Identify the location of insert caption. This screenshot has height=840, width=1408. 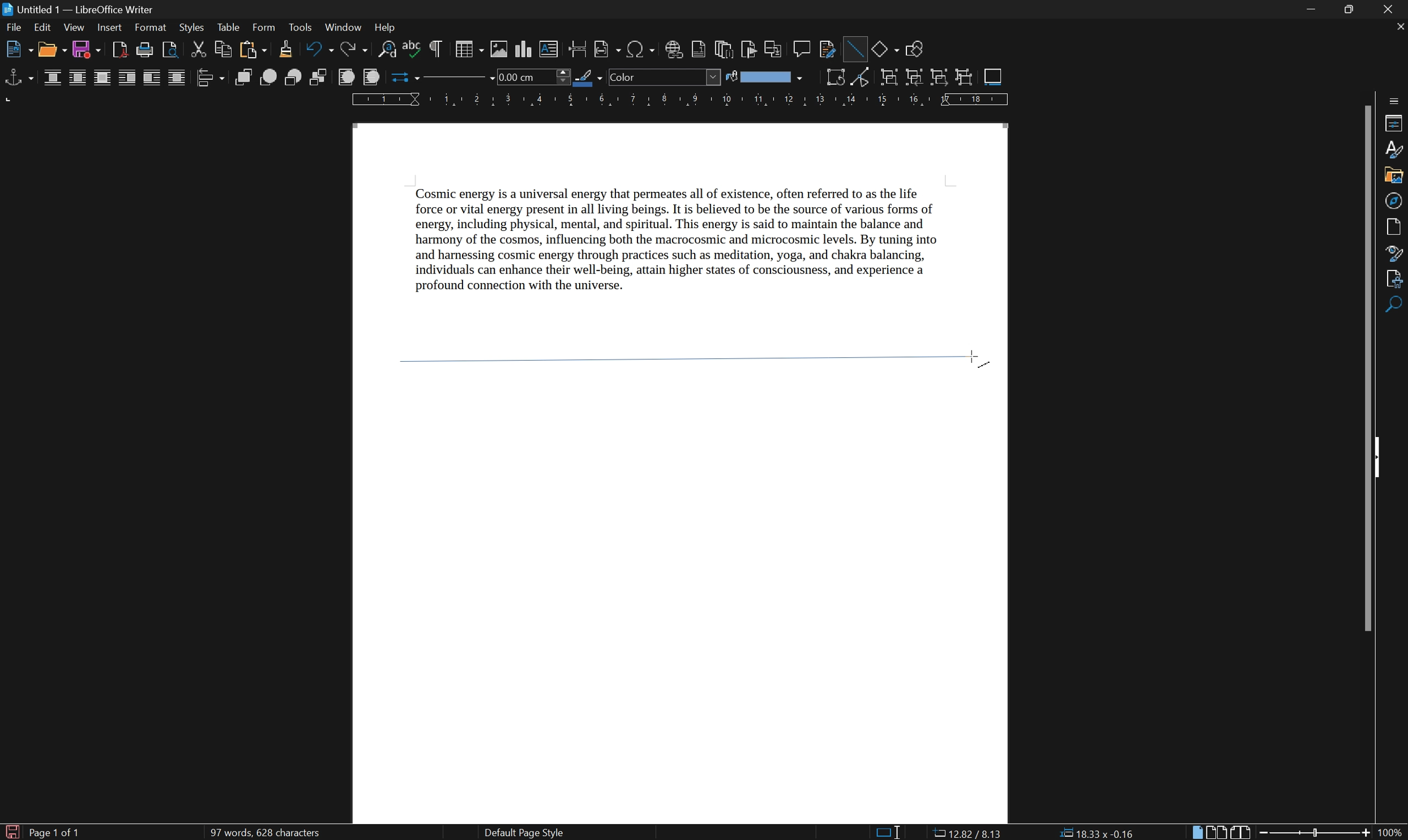
(993, 76).